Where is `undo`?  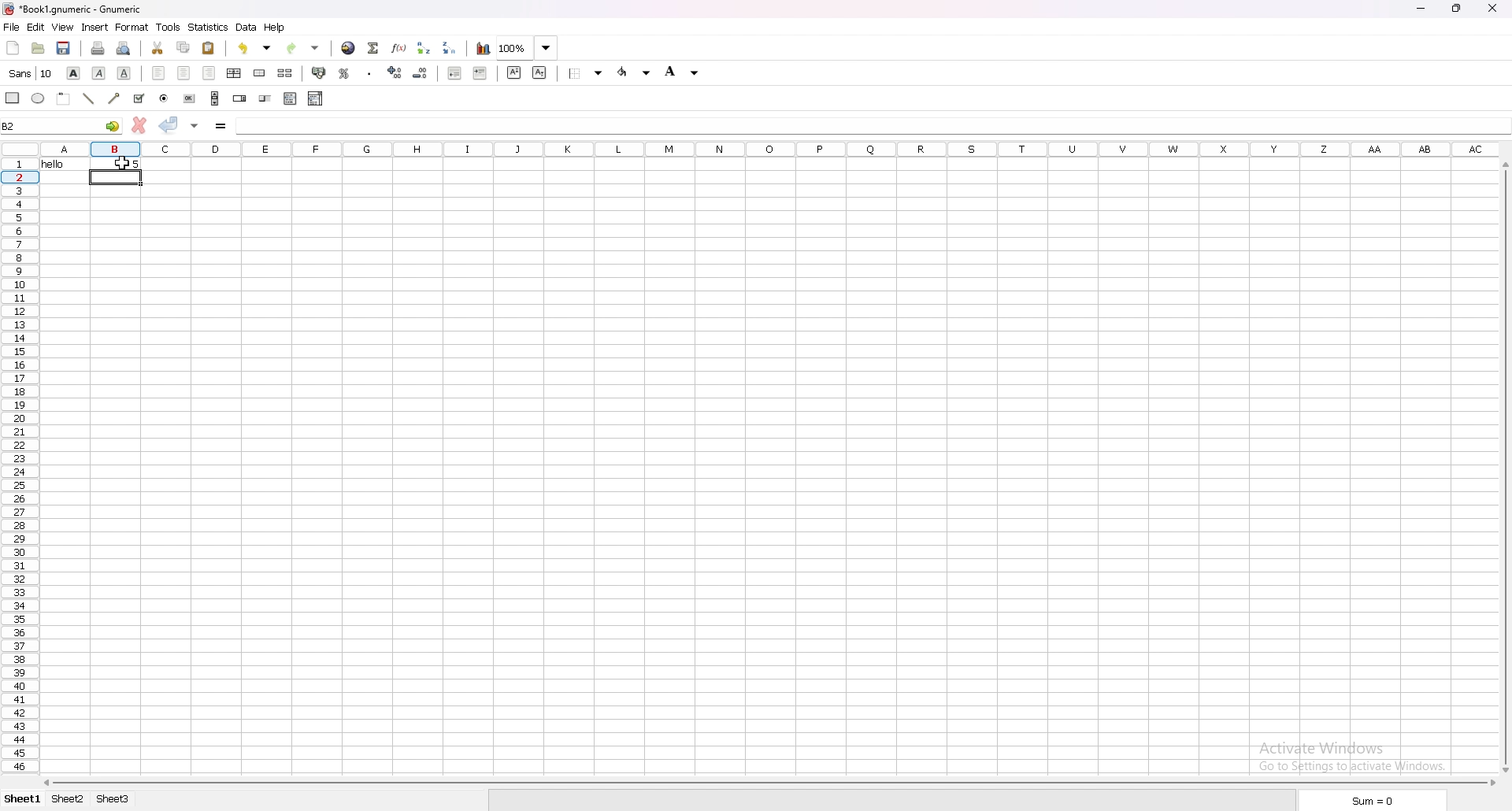 undo is located at coordinates (255, 48).